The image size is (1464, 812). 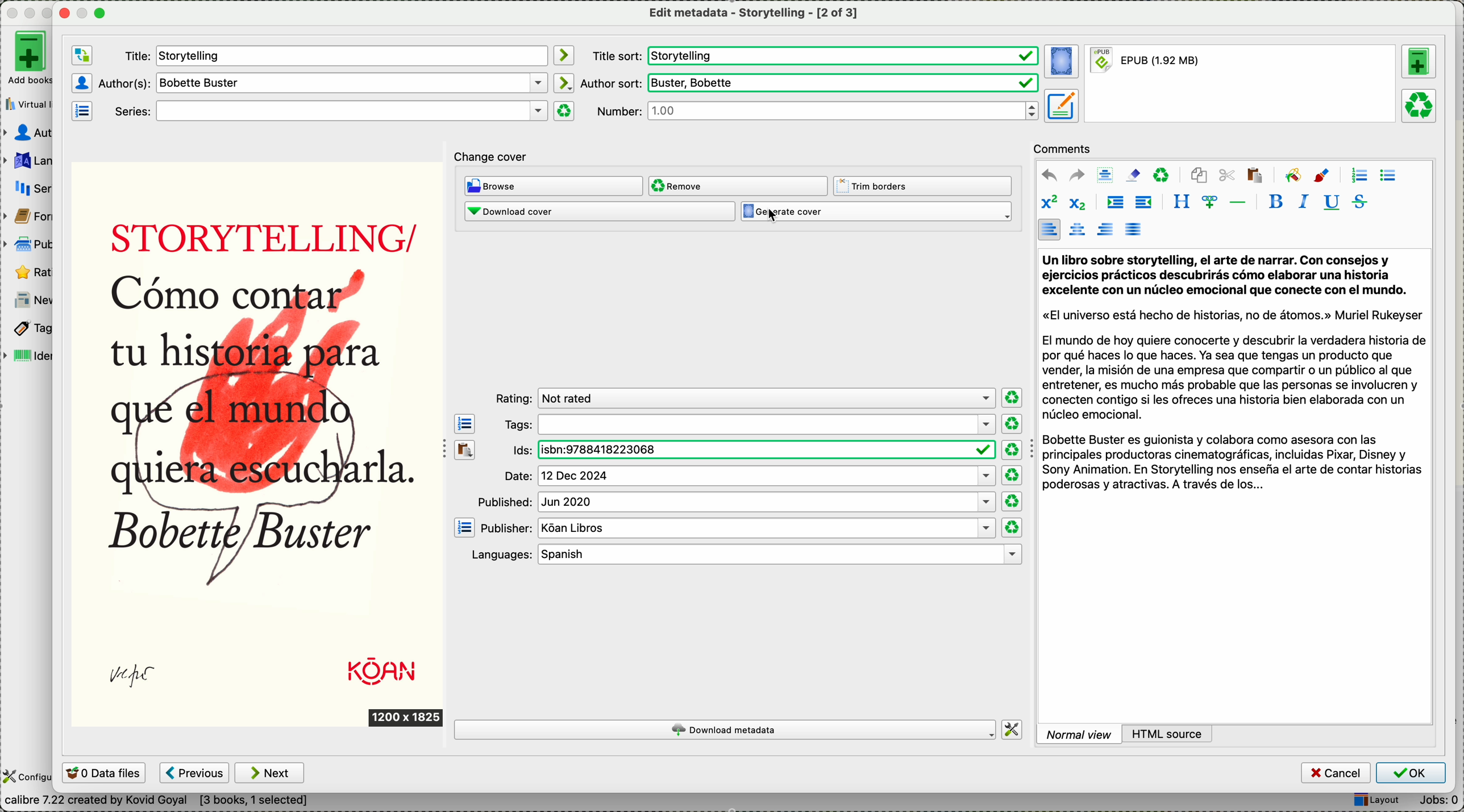 I want to click on download metadata, so click(x=725, y=730).